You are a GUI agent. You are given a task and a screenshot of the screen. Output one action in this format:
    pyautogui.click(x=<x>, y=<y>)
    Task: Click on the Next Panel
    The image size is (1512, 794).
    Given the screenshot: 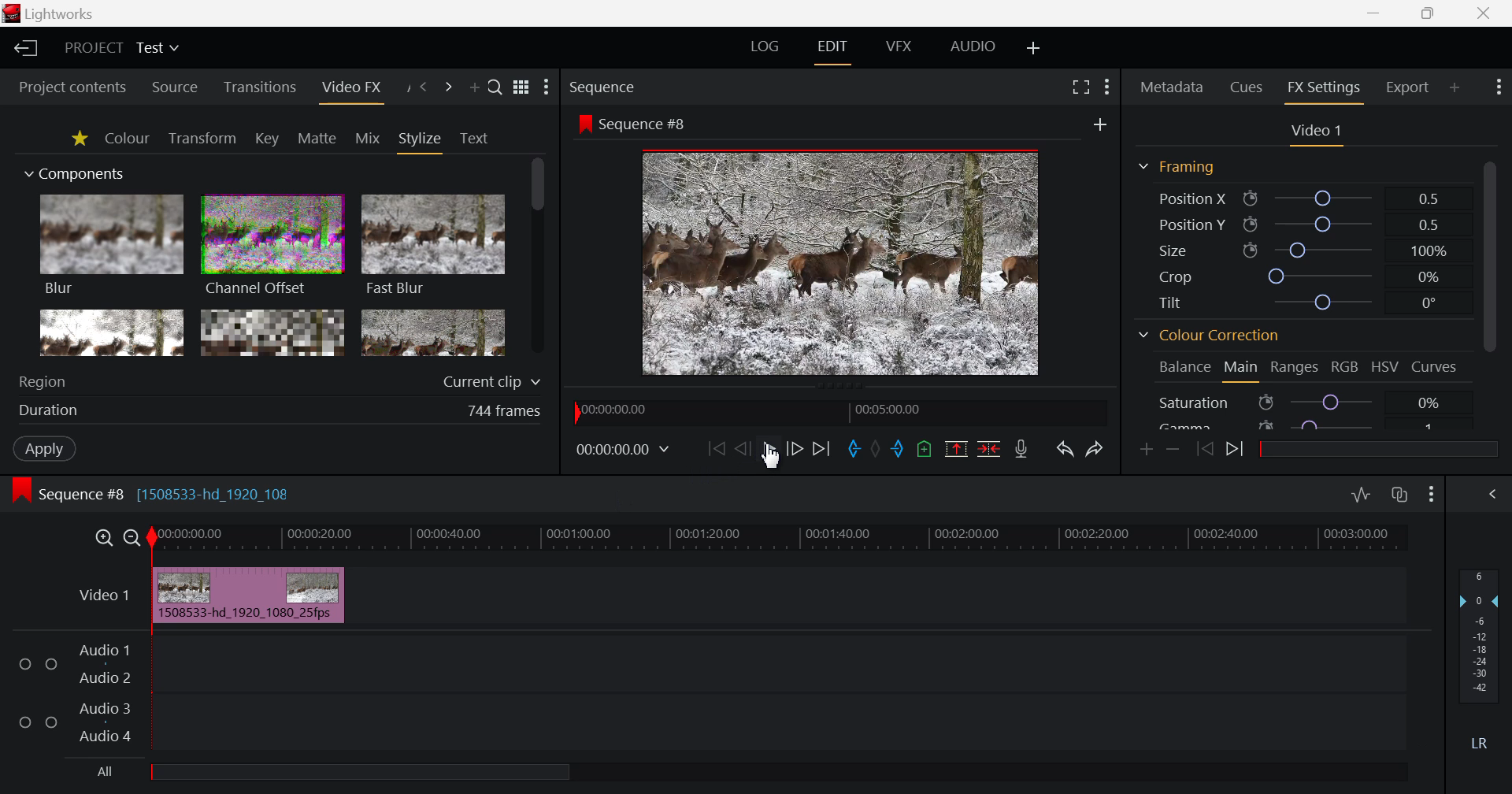 What is the action you would take?
    pyautogui.click(x=446, y=87)
    